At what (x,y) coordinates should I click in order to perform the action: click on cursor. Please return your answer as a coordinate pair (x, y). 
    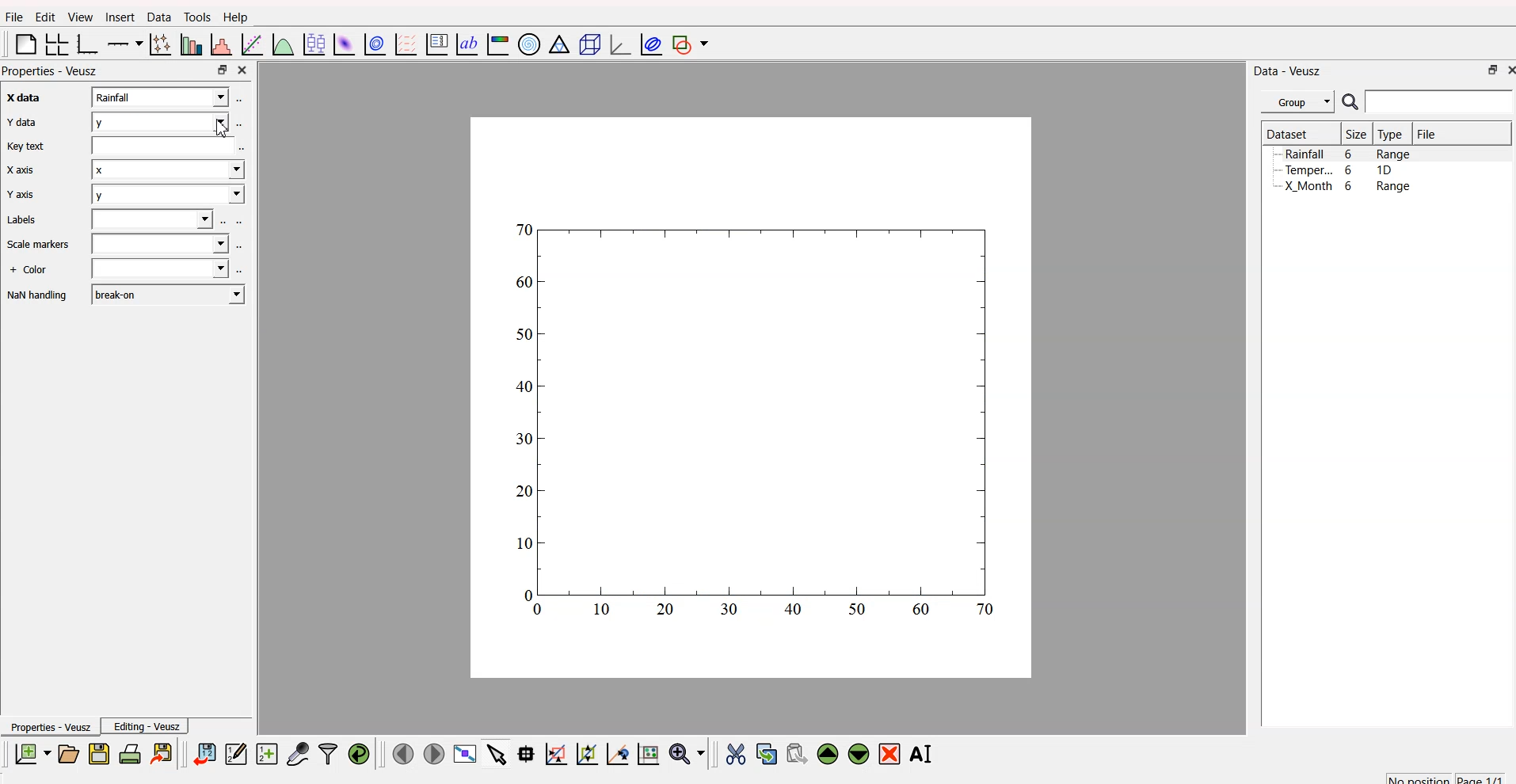
    Looking at the image, I should click on (228, 131).